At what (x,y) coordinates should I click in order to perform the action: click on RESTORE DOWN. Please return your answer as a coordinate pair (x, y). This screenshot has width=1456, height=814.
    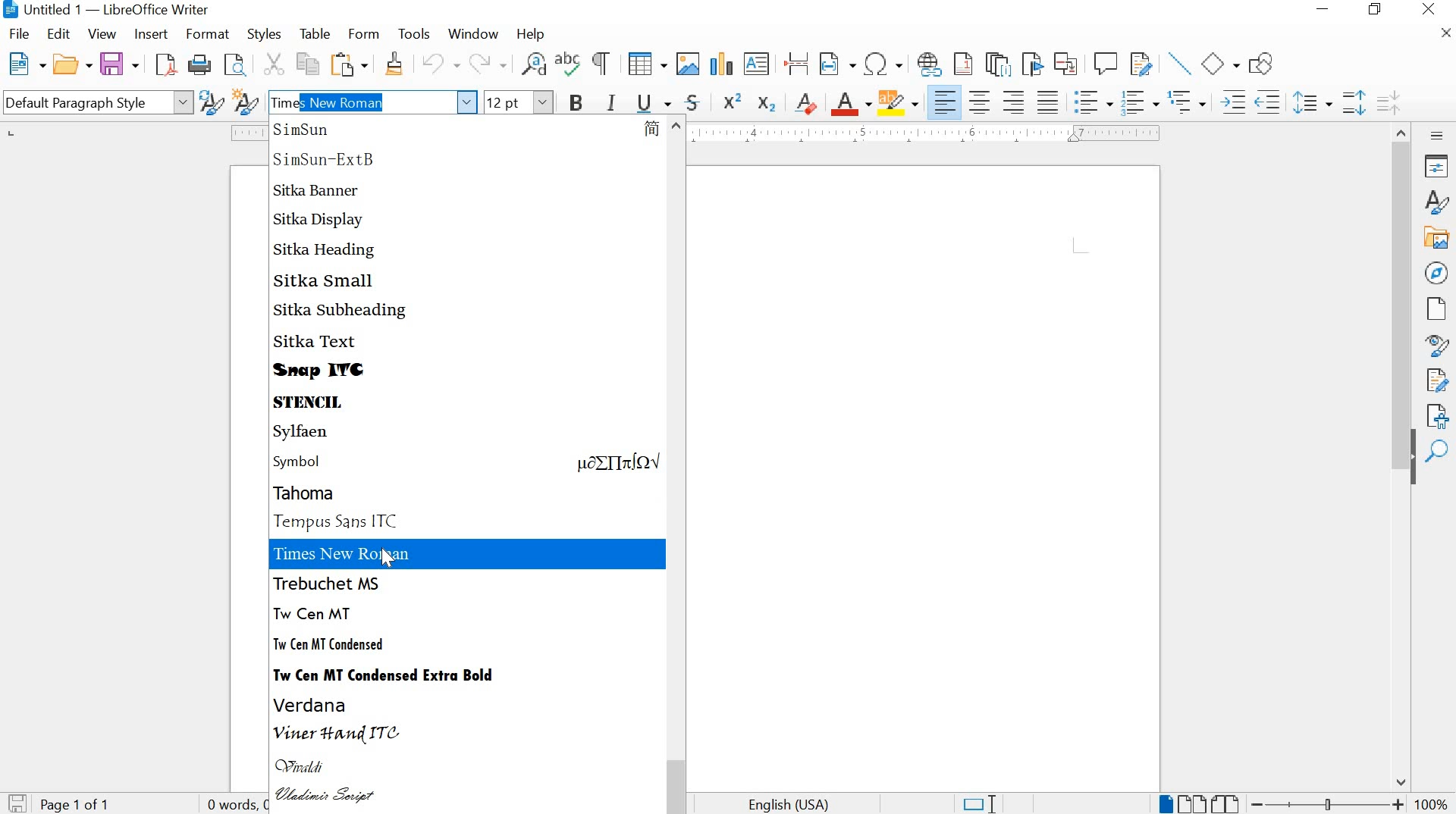
    Looking at the image, I should click on (1378, 11).